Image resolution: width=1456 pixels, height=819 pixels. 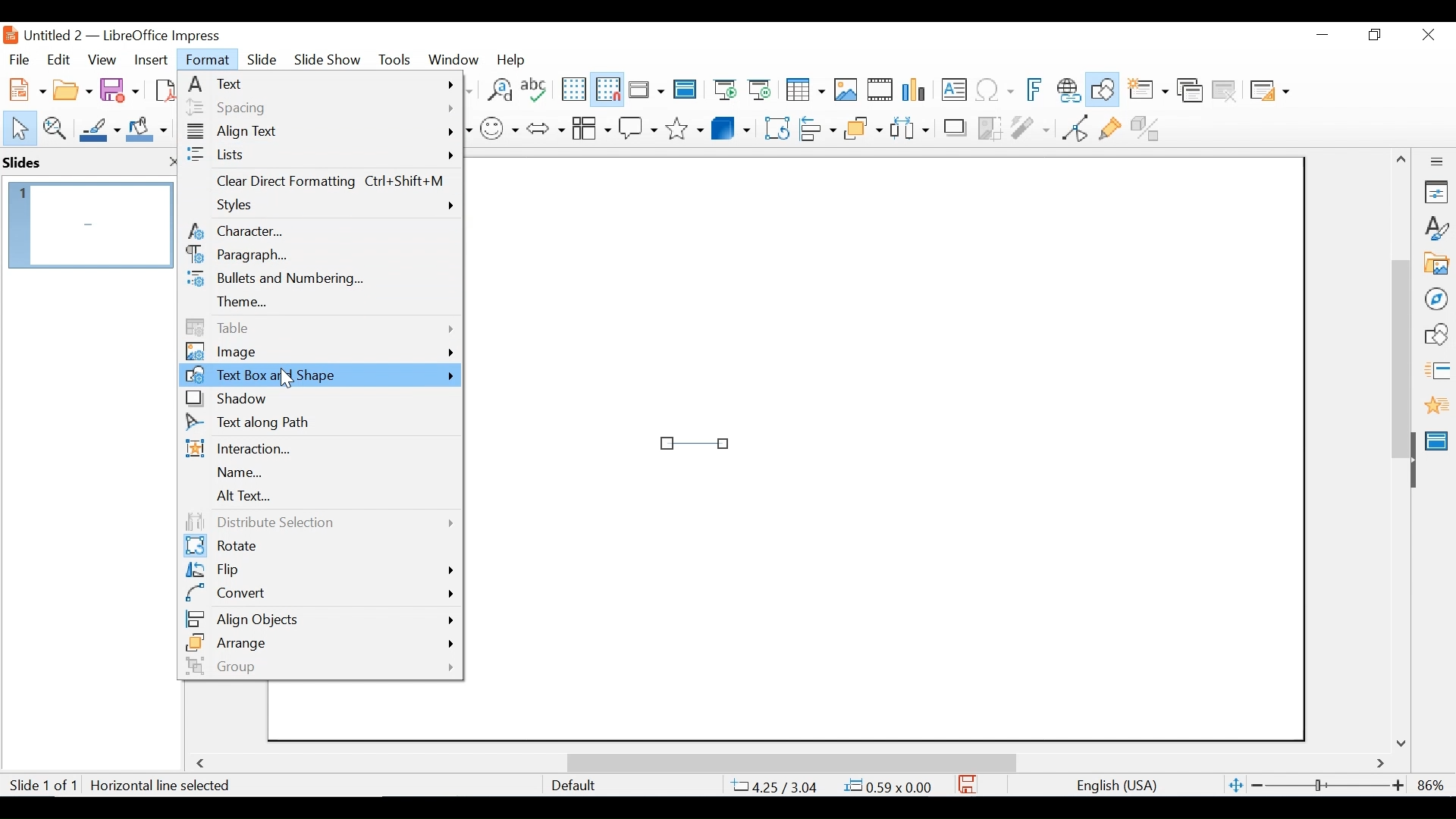 What do you see at coordinates (1437, 405) in the screenshot?
I see `Animation` at bounding box center [1437, 405].